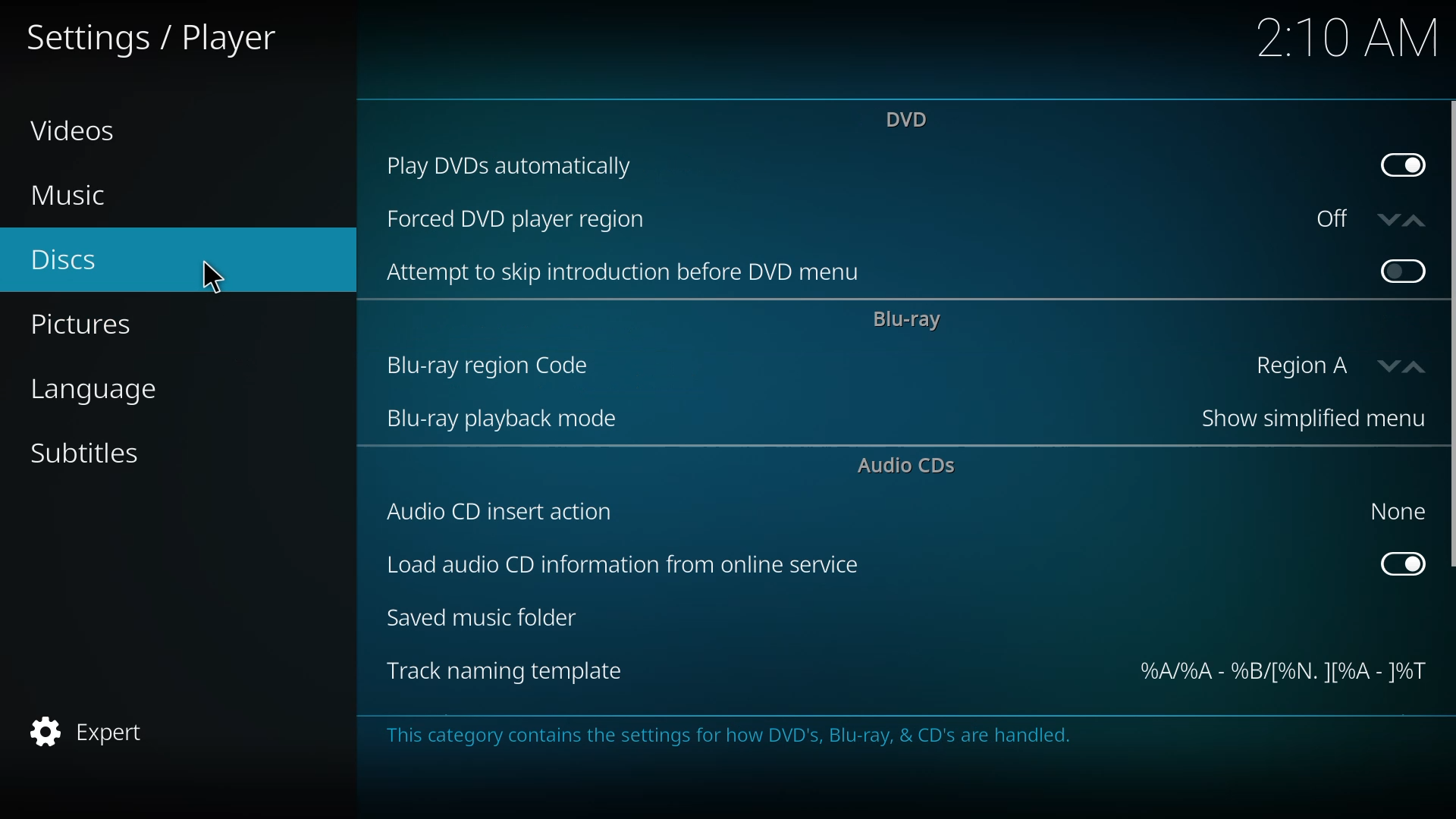 The width and height of the screenshot is (1456, 819). Describe the element at coordinates (93, 388) in the screenshot. I see `language` at that location.